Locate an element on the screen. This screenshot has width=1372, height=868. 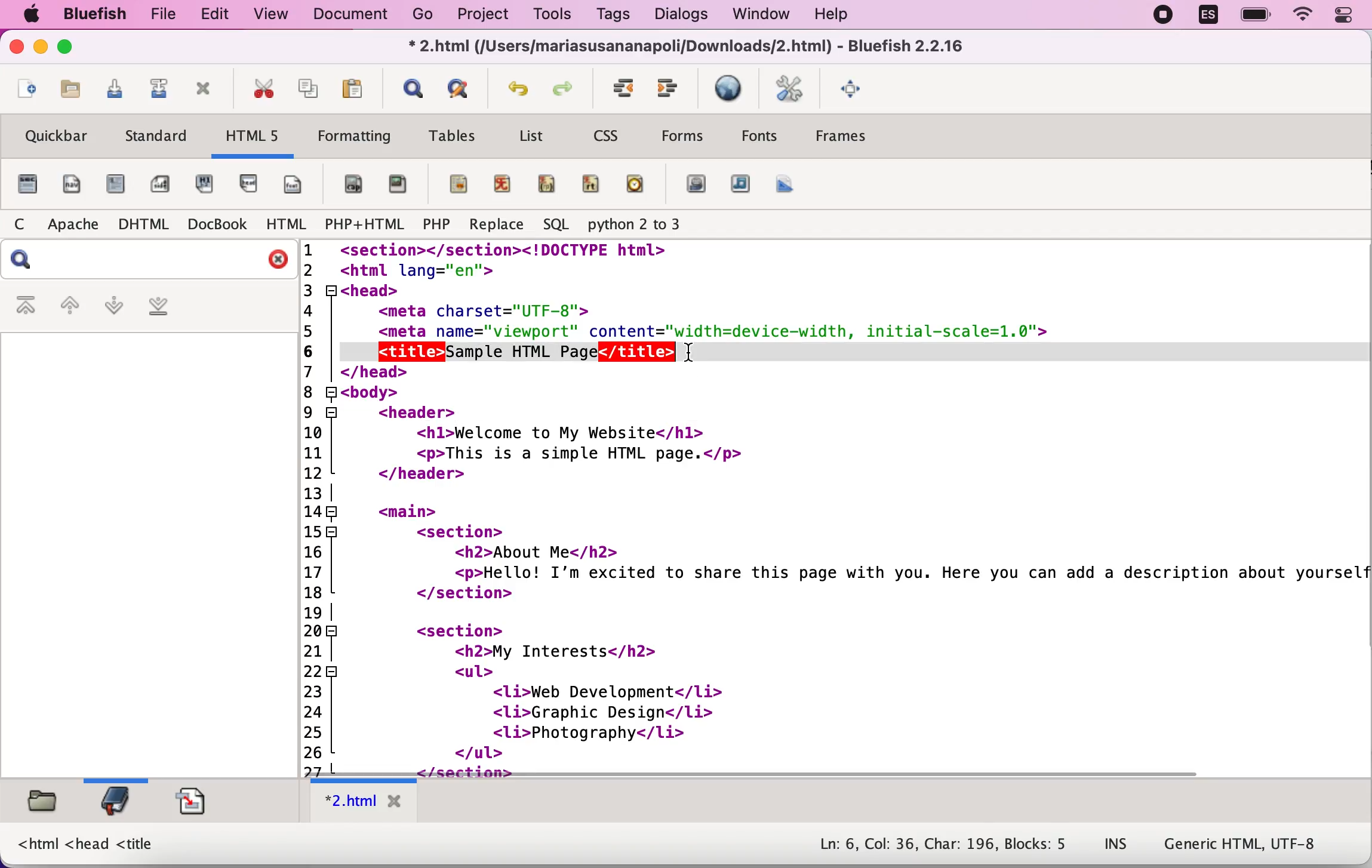
c is located at coordinates (26, 224).